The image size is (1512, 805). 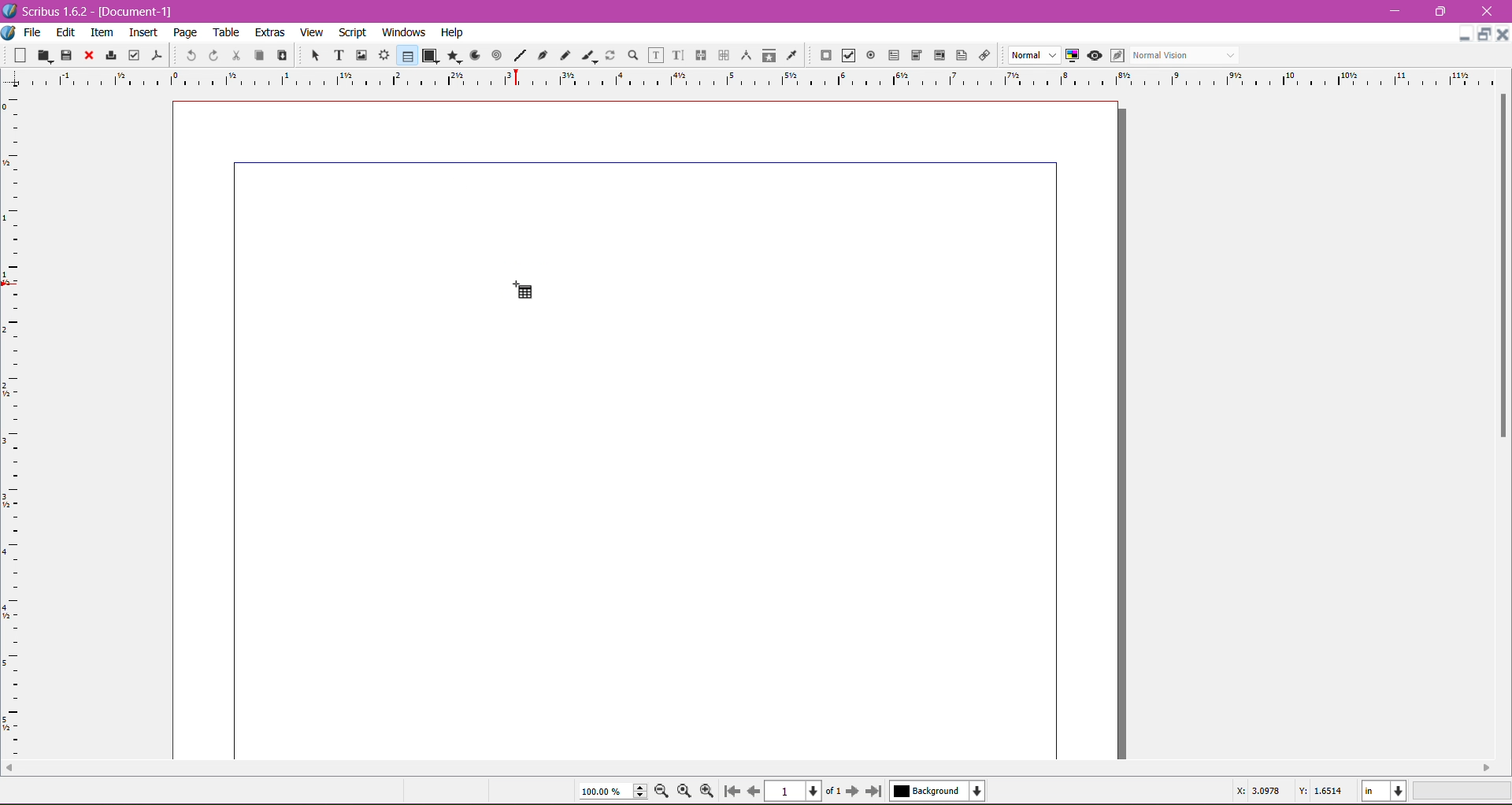 What do you see at coordinates (517, 56) in the screenshot?
I see `Line` at bounding box center [517, 56].